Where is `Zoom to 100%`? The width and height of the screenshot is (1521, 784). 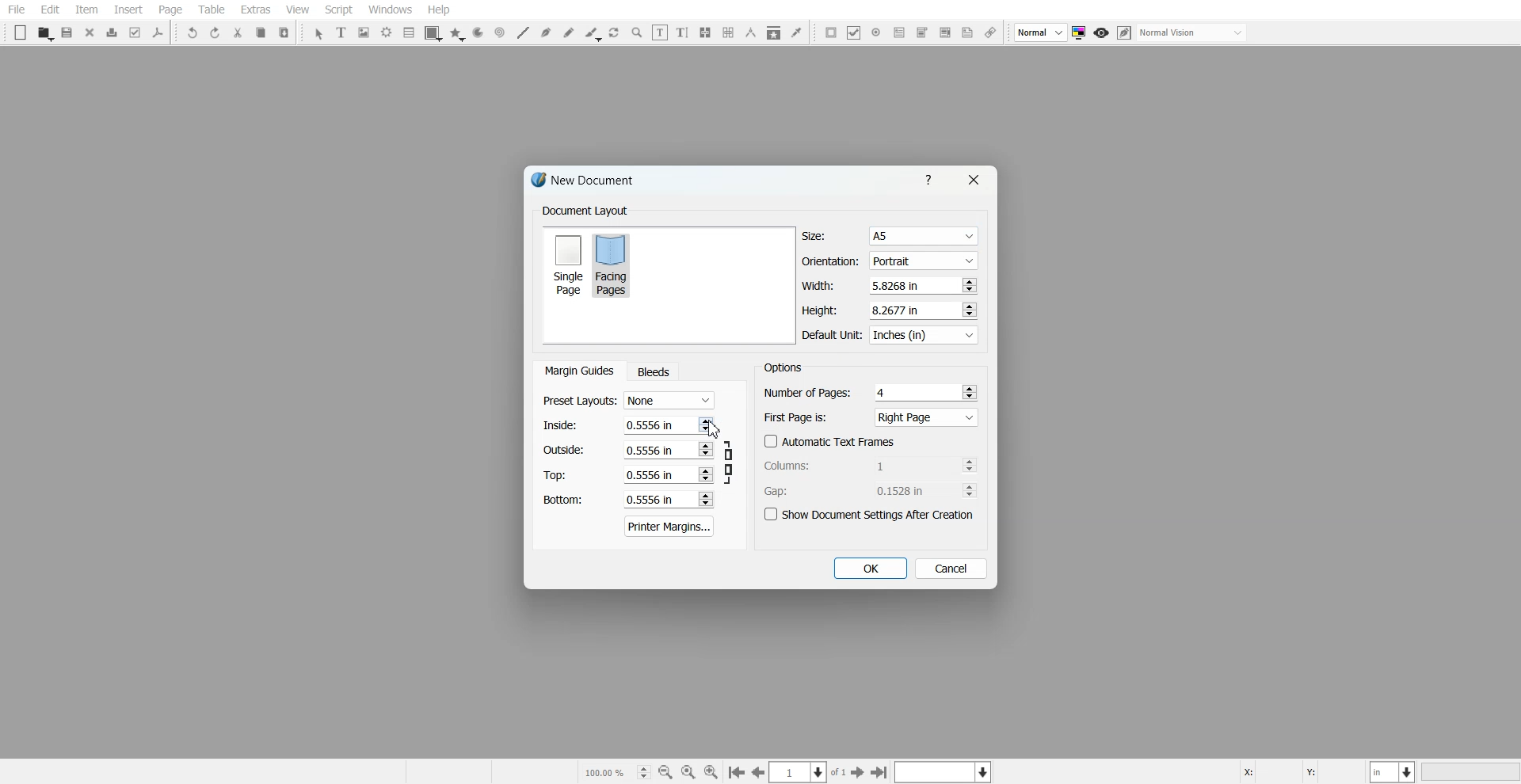
Zoom to 100% is located at coordinates (688, 771).